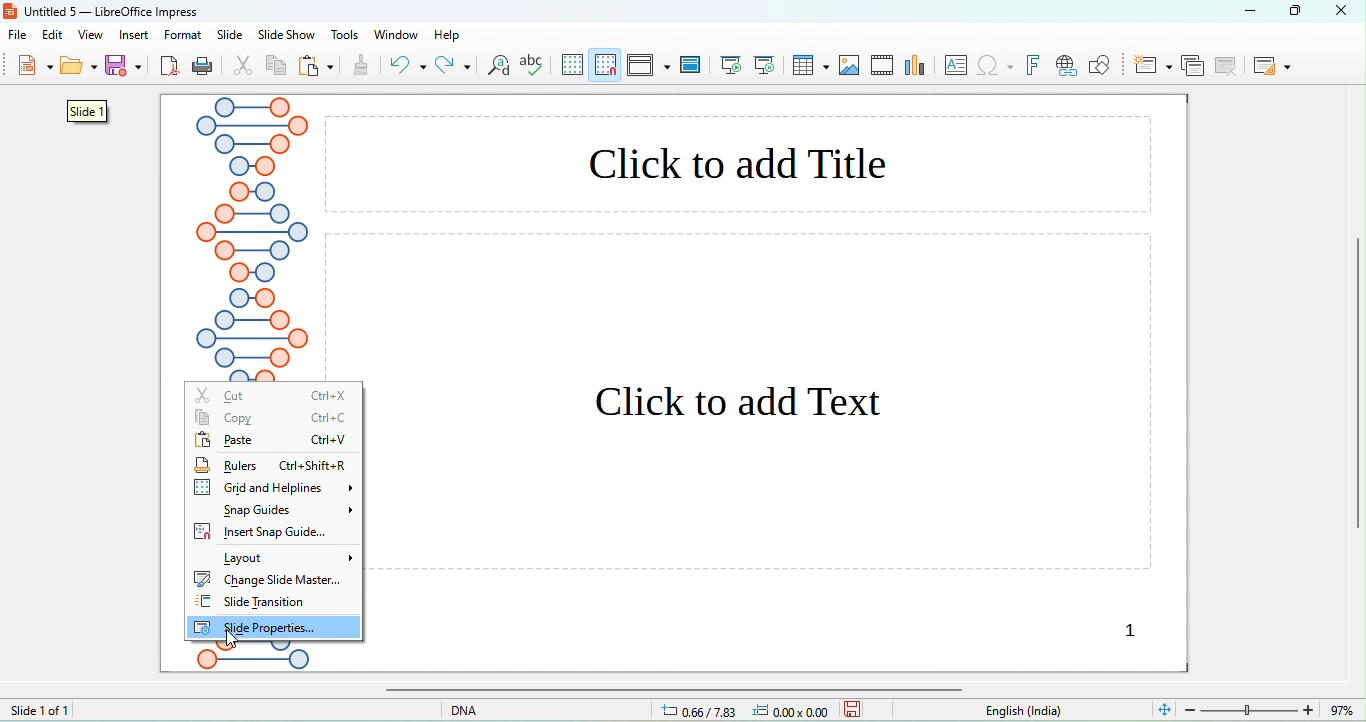  I want to click on start from current, so click(764, 63).